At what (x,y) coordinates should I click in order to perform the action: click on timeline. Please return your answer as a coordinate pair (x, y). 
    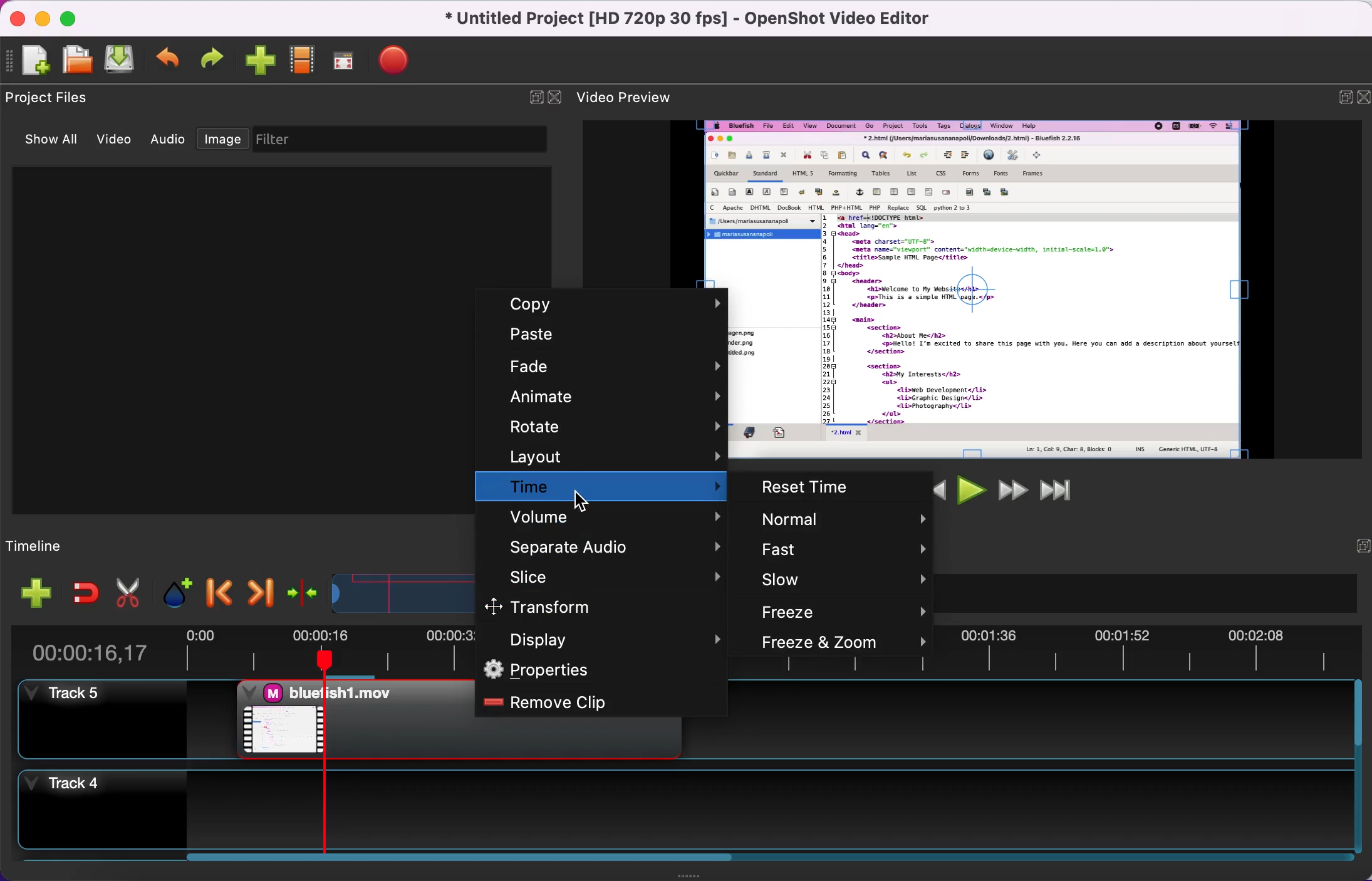
    Looking at the image, I should click on (71, 543).